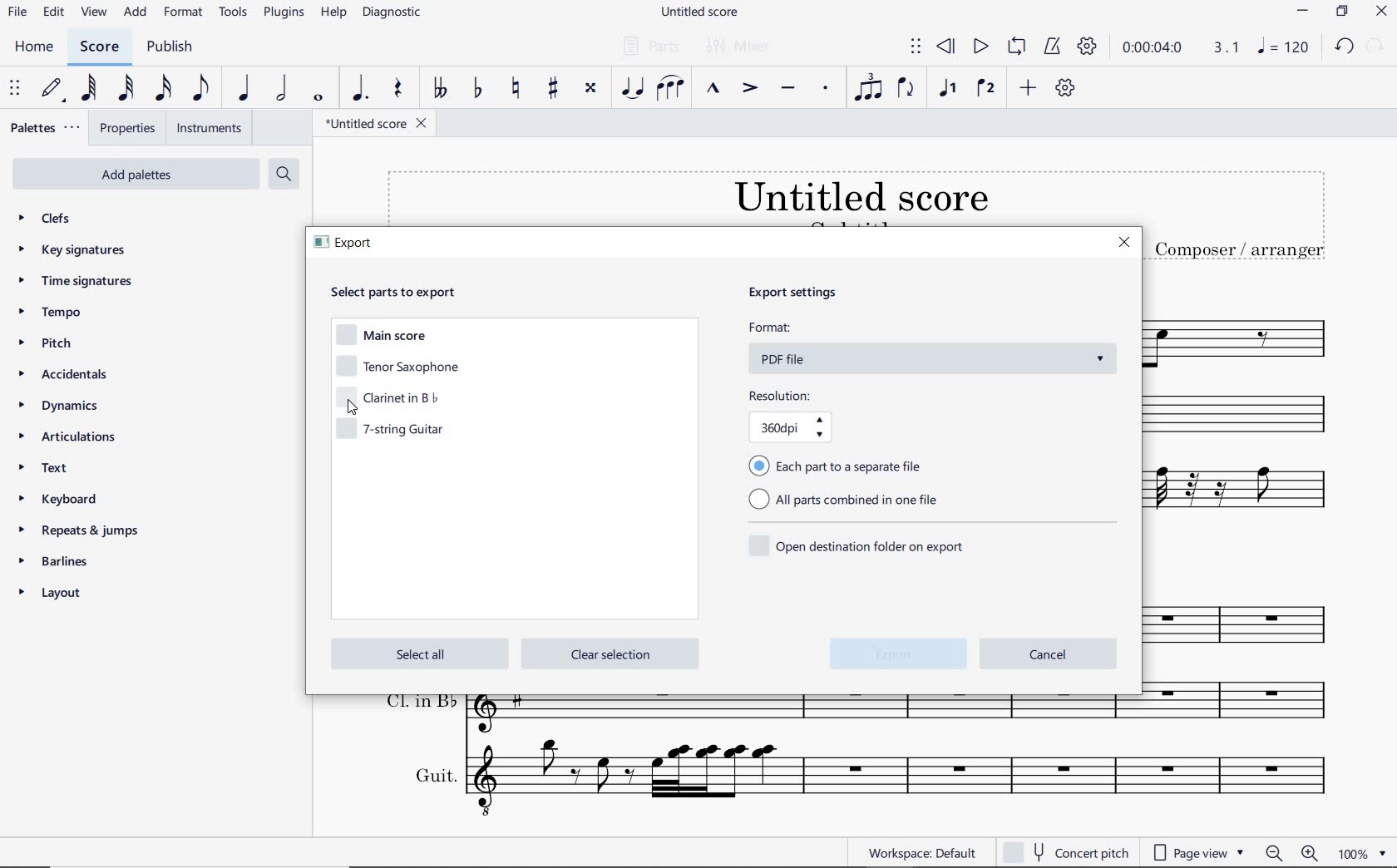 This screenshot has width=1397, height=868. What do you see at coordinates (476, 89) in the screenshot?
I see `TOGGLE FLAT` at bounding box center [476, 89].